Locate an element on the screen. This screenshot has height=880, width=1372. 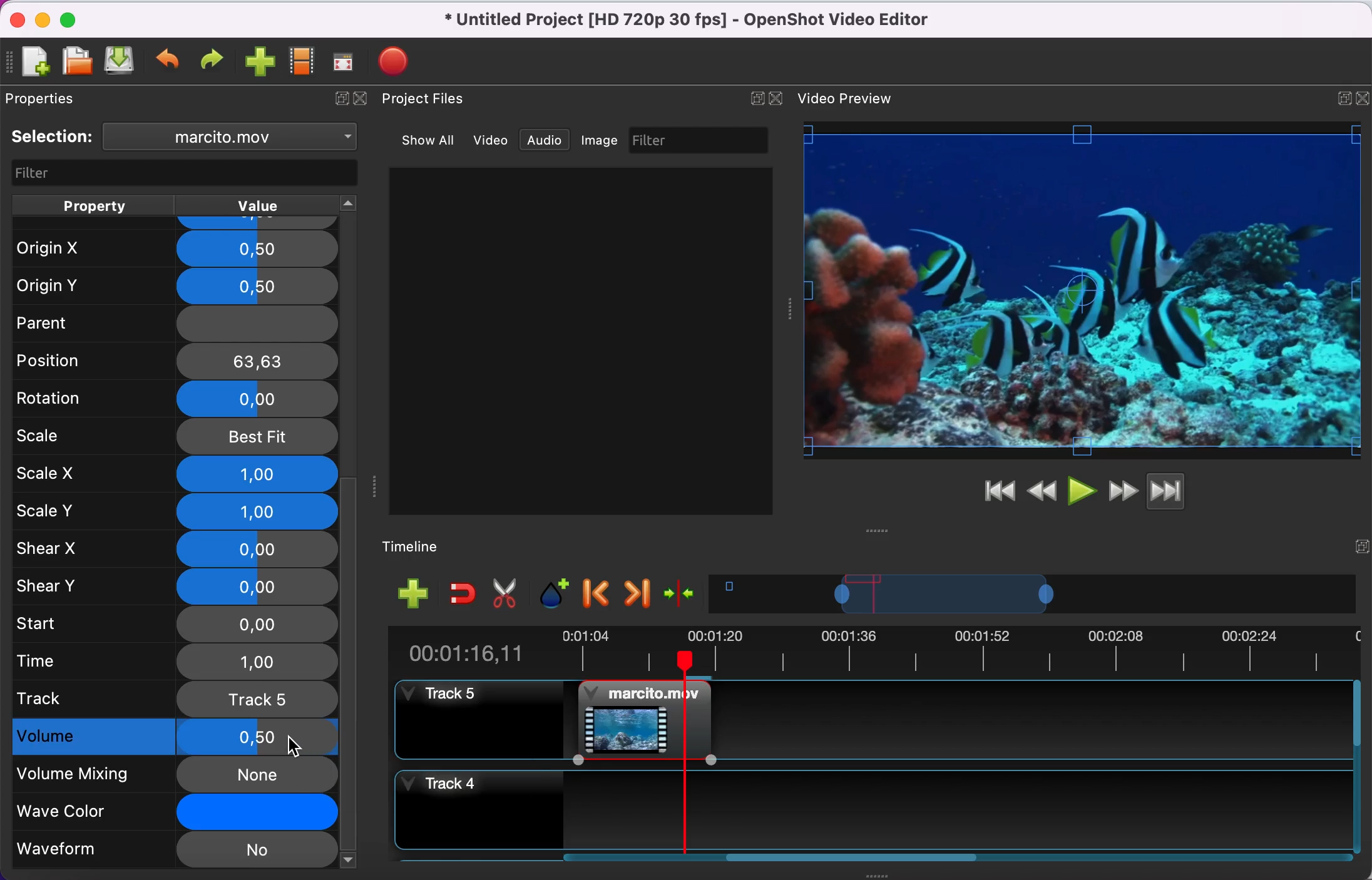
audio is located at coordinates (549, 141).